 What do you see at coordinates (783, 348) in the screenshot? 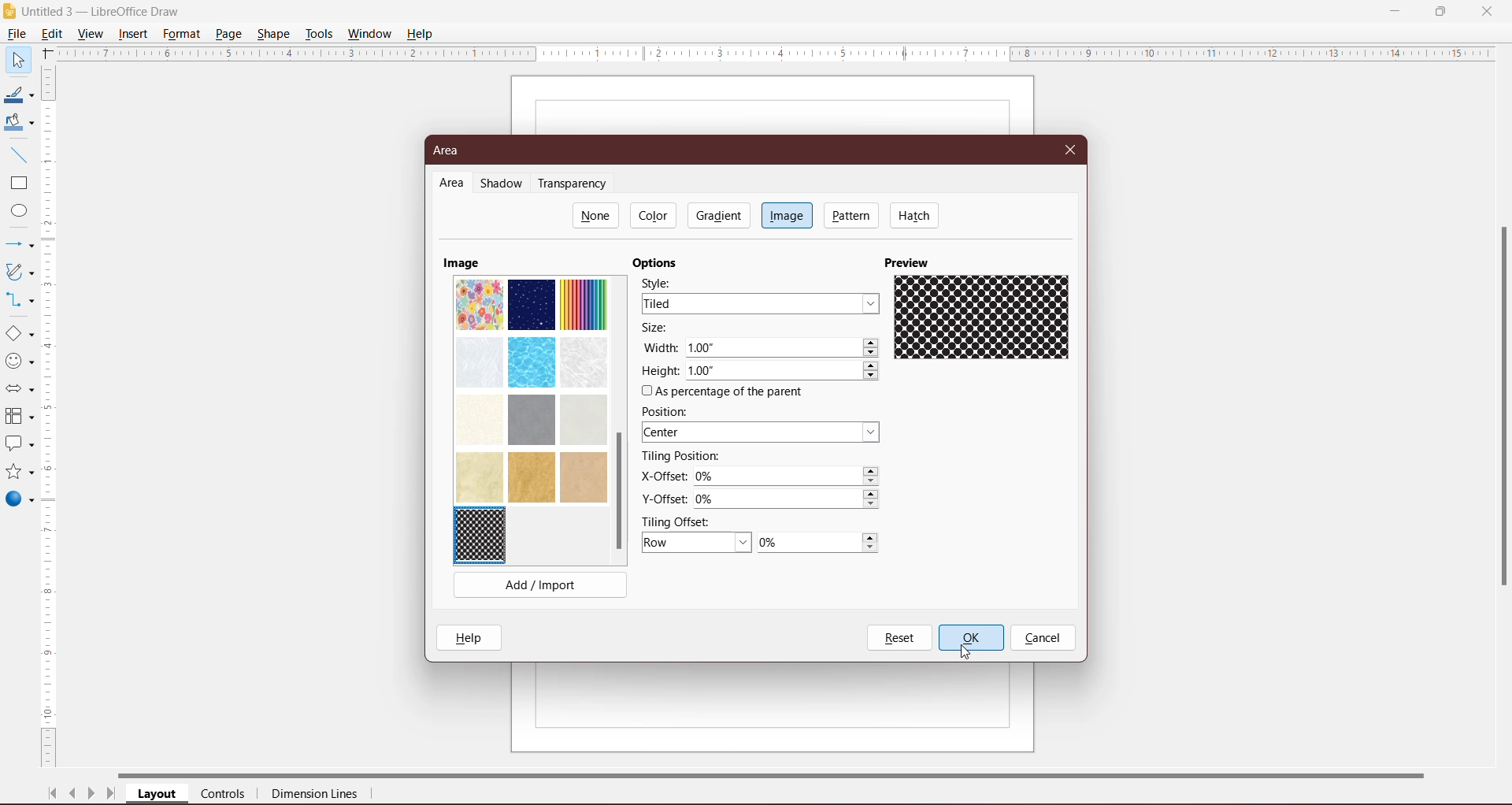
I see `Select required width` at bounding box center [783, 348].